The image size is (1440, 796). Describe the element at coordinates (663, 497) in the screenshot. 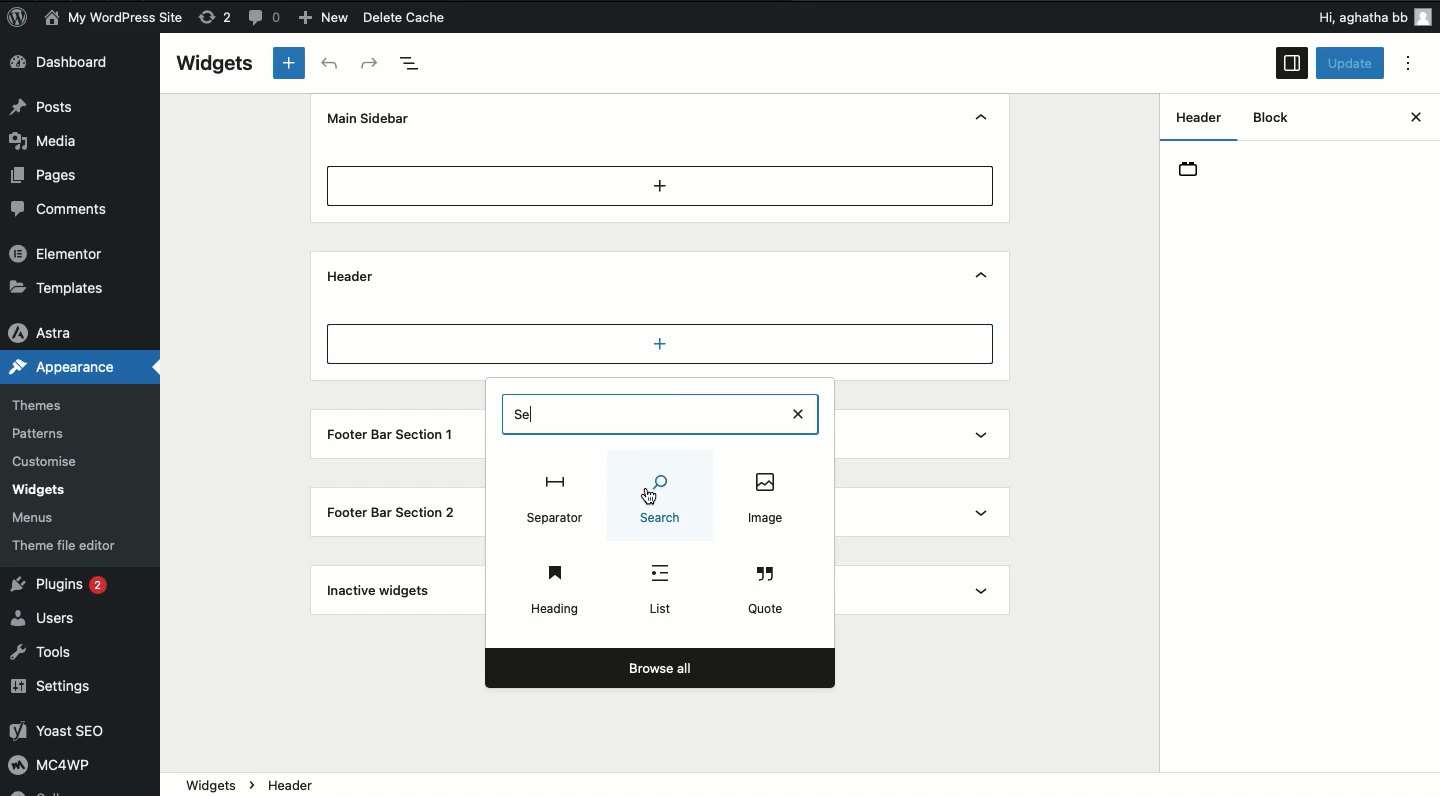

I see `Image` at that location.